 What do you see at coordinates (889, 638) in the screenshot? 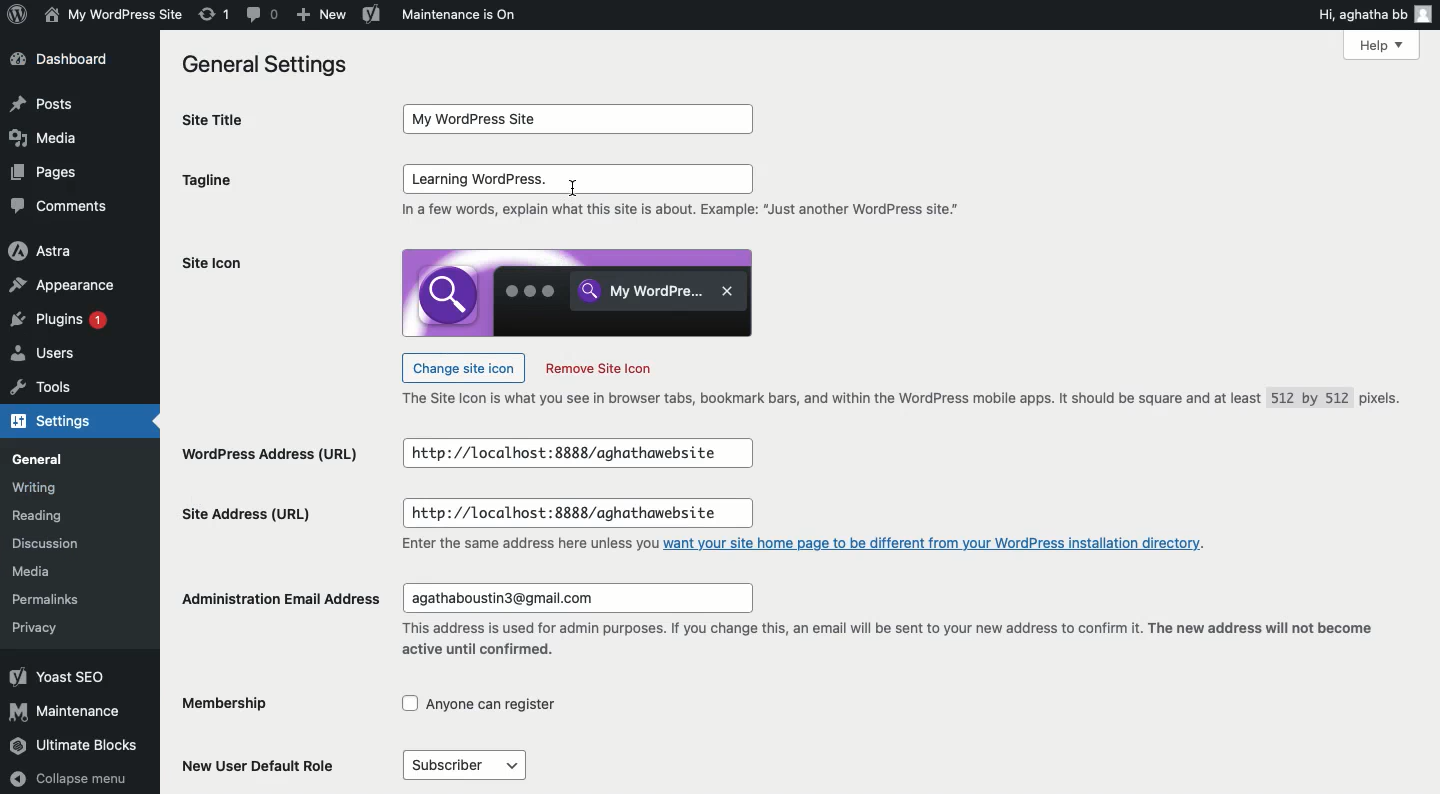
I see `text` at bounding box center [889, 638].